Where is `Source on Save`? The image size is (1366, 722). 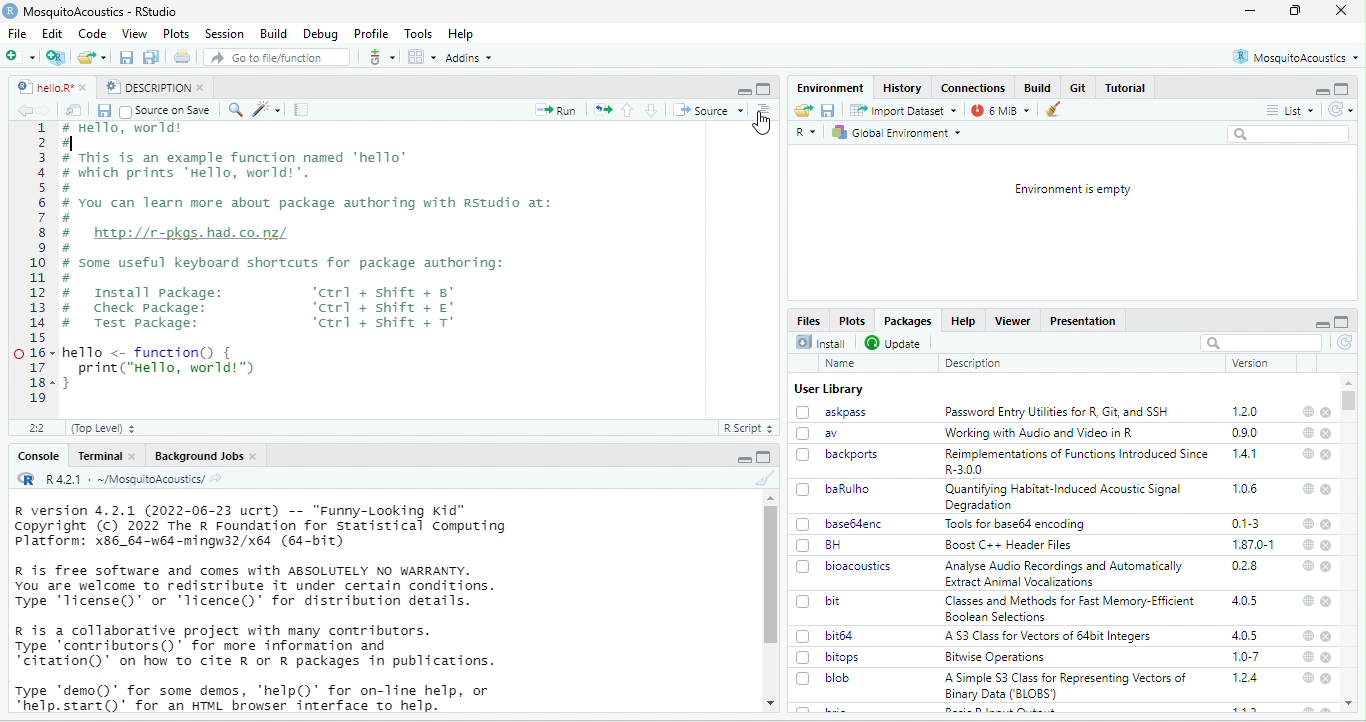
Source on Save is located at coordinates (166, 111).